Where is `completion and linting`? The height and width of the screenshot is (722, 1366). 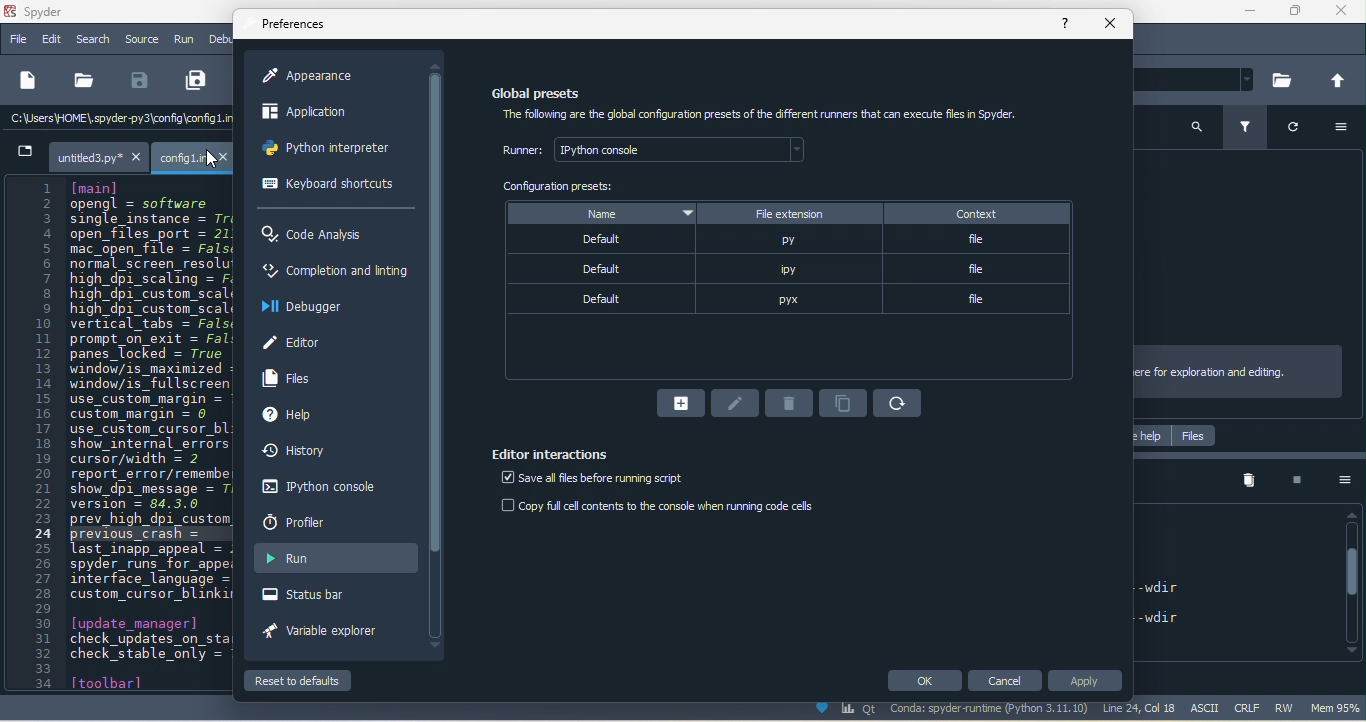
completion and linting is located at coordinates (332, 268).